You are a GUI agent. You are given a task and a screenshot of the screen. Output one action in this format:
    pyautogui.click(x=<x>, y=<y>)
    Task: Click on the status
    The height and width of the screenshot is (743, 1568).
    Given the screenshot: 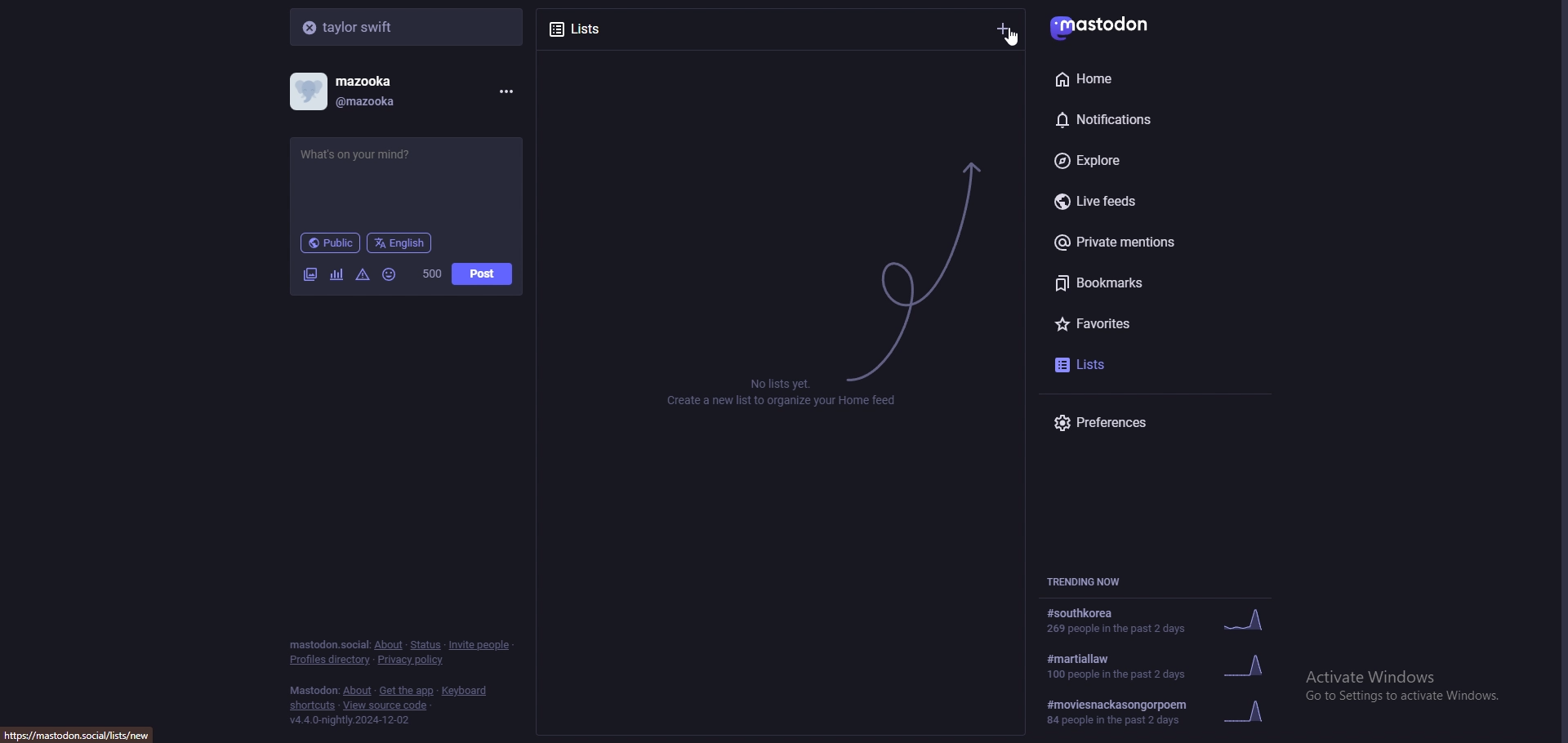 What is the action you would take?
    pyautogui.click(x=425, y=645)
    